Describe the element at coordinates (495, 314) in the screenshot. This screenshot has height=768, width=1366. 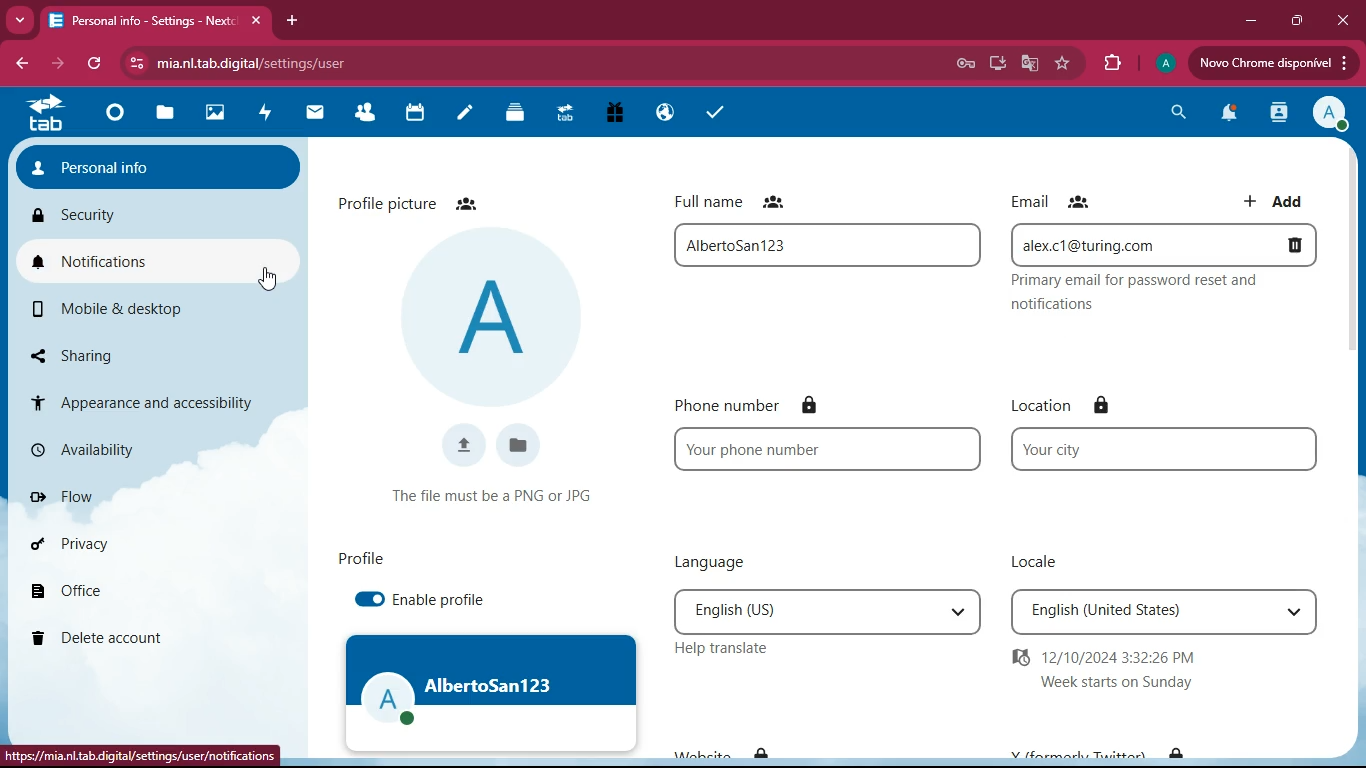
I see `profile picture` at that location.